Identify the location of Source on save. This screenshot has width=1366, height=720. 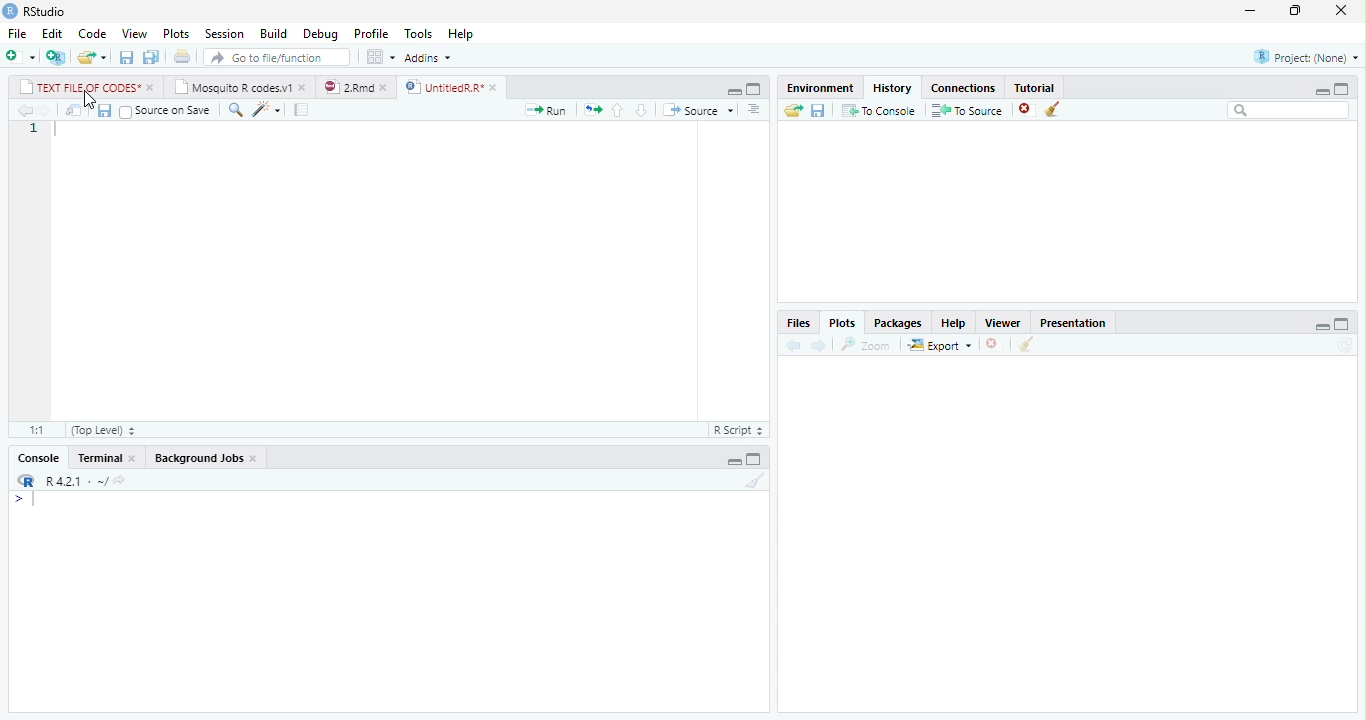
(167, 111).